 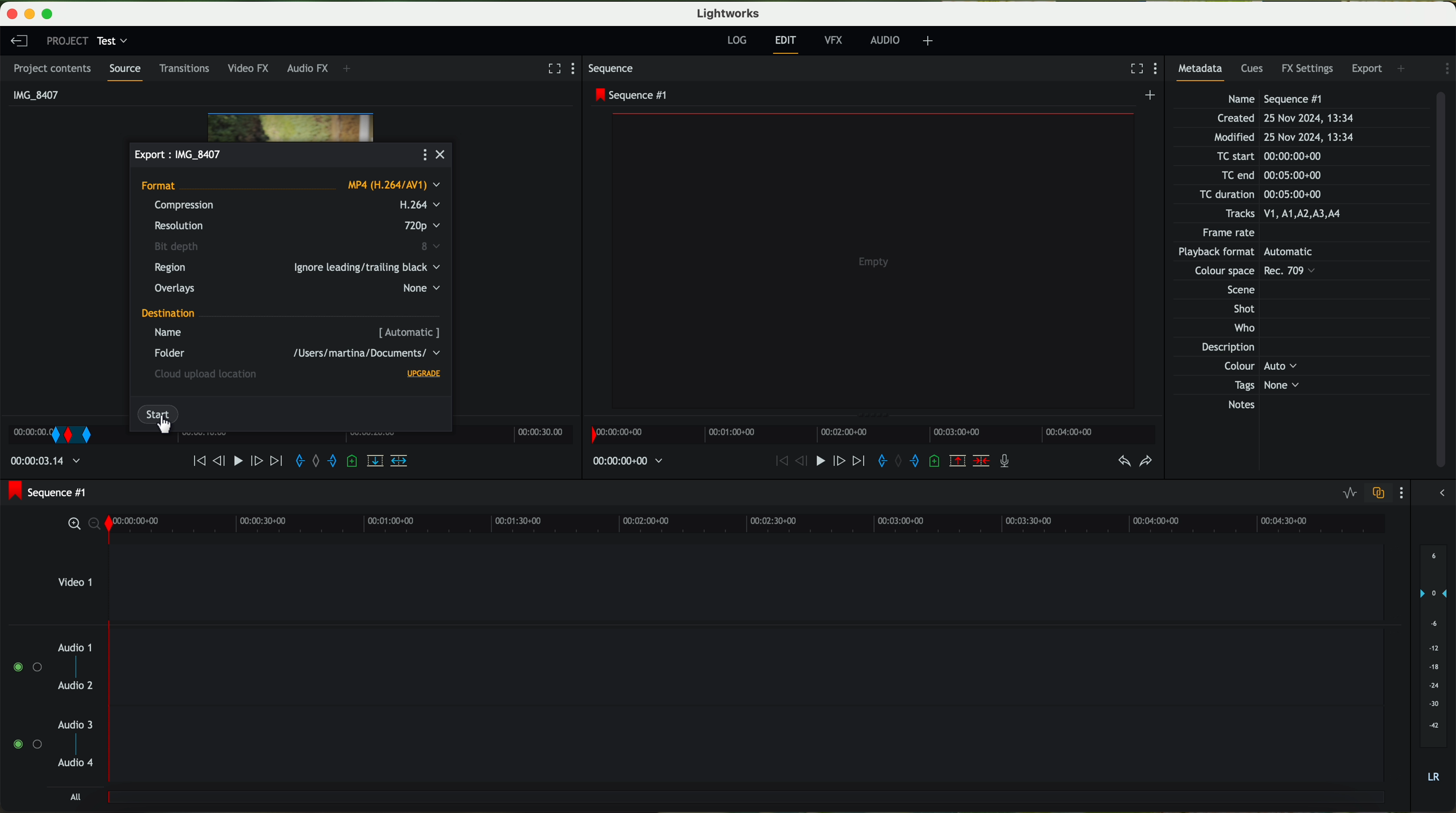 What do you see at coordinates (306, 68) in the screenshot?
I see `audio FX` at bounding box center [306, 68].